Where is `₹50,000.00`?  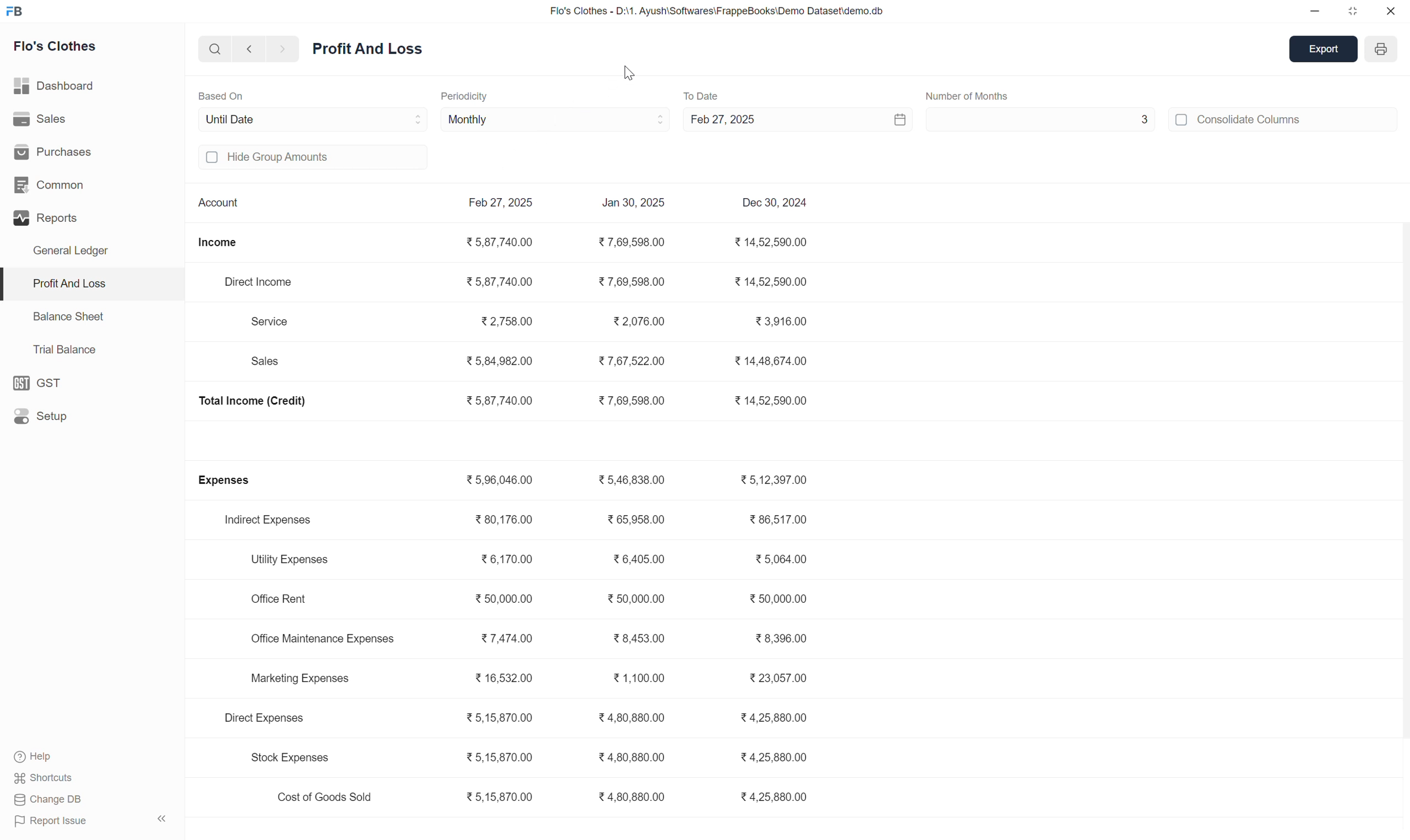 ₹50,000.00 is located at coordinates (784, 602).